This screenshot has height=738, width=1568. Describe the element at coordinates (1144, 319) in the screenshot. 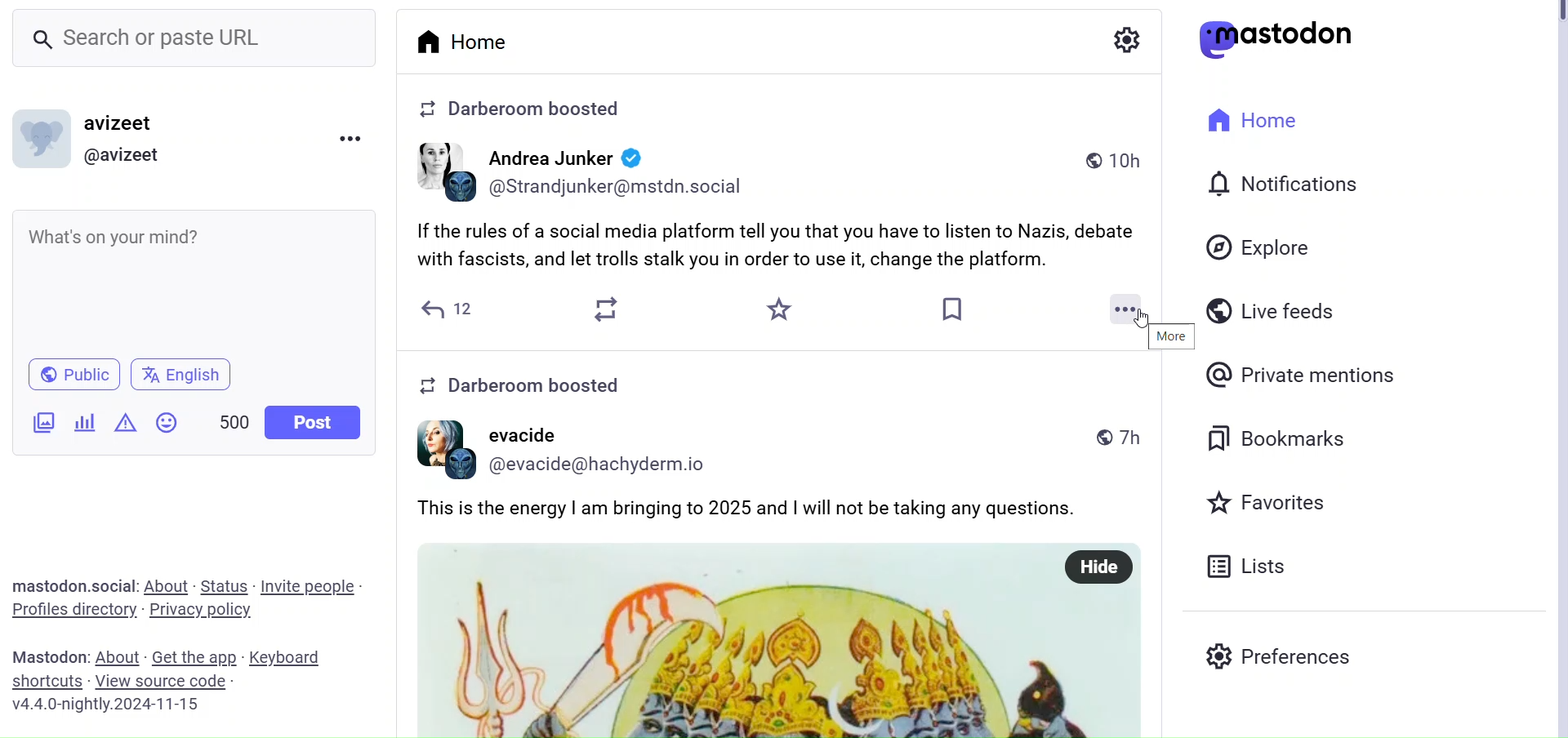

I see `cursor` at that location.